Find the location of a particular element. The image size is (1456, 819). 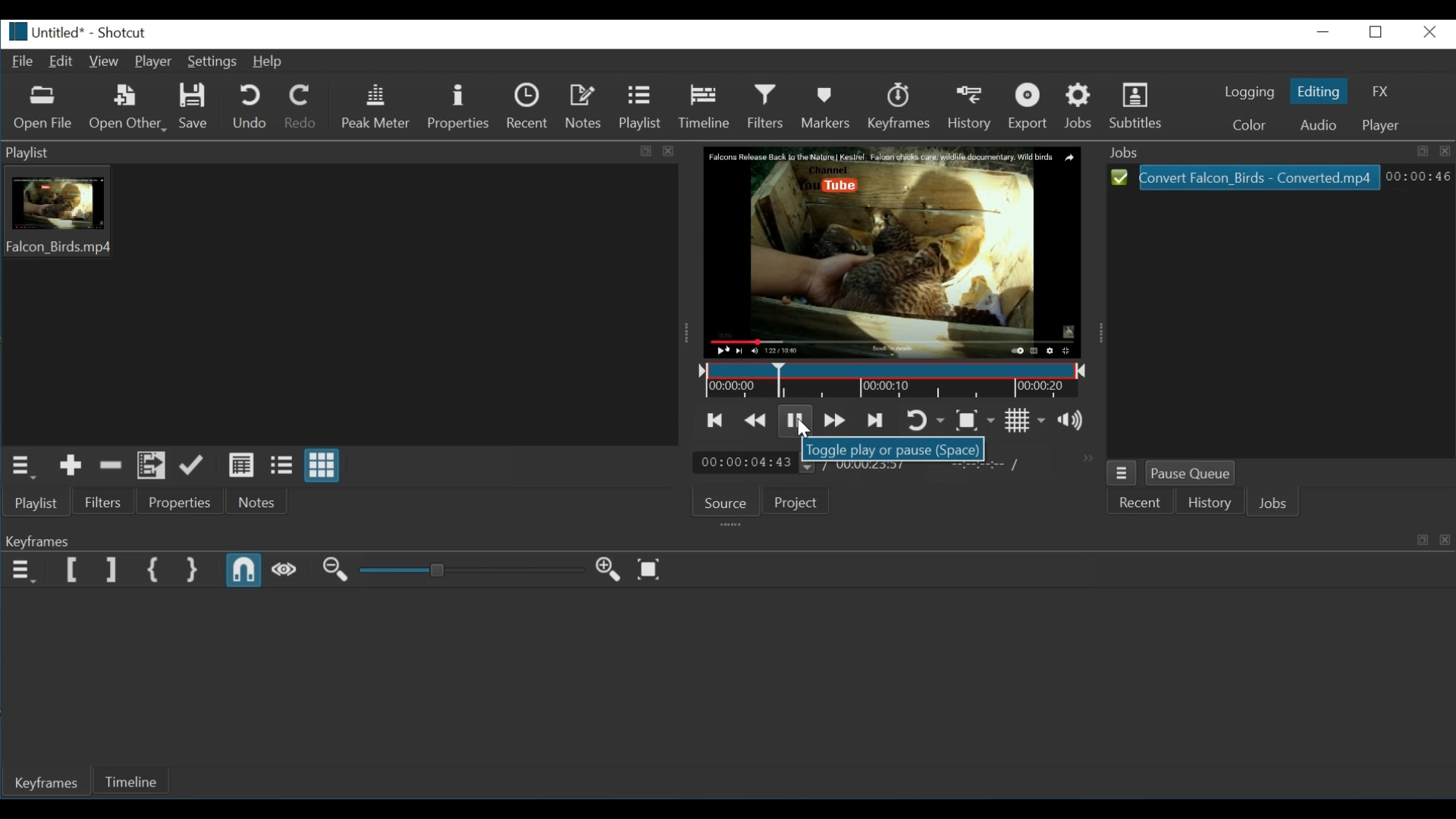

History is located at coordinates (970, 107).